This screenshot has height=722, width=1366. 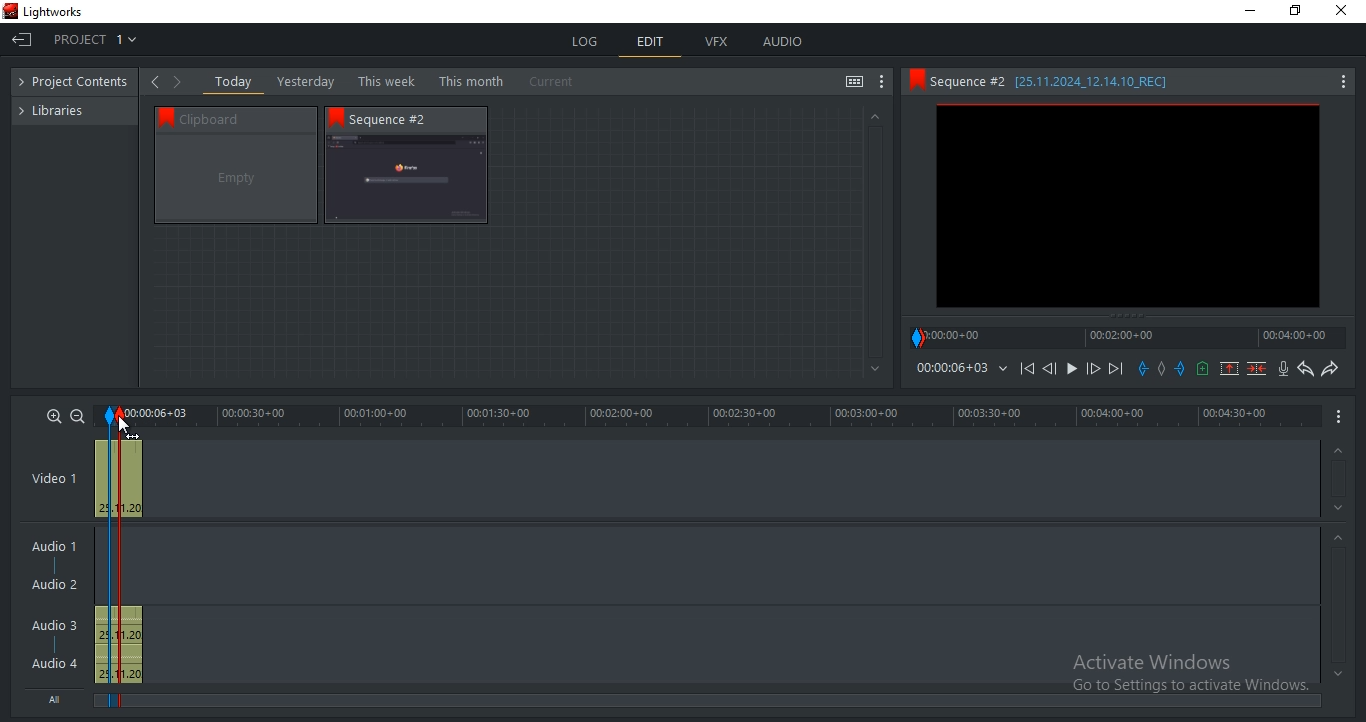 What do you see at coordinates (236, 179) in the screenshot?
I see `clipboard` at bounding box center [236, 179].